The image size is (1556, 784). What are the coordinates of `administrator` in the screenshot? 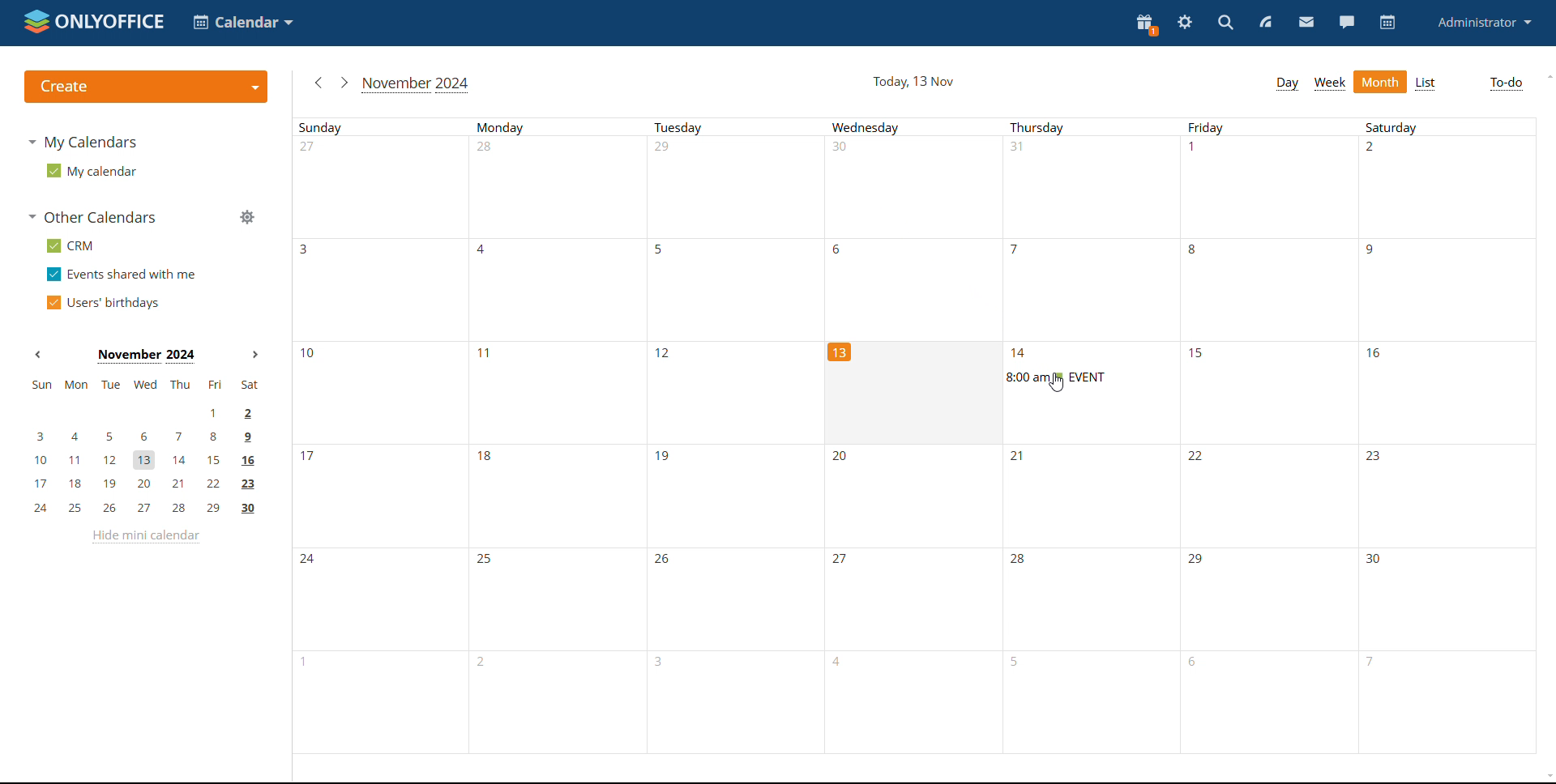 It's located at (1486, 23).